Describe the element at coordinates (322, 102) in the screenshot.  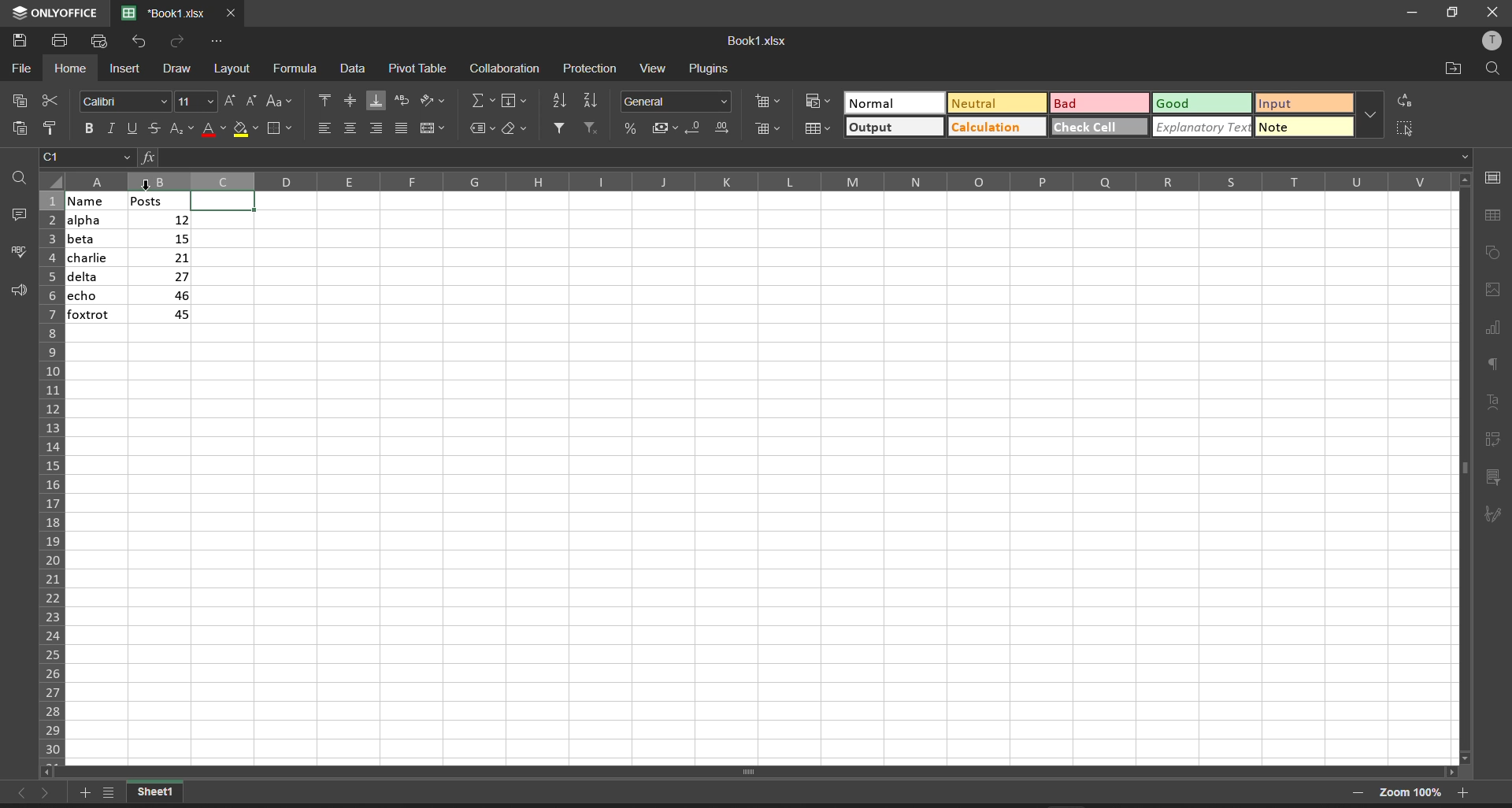
I see `align top` at that location.